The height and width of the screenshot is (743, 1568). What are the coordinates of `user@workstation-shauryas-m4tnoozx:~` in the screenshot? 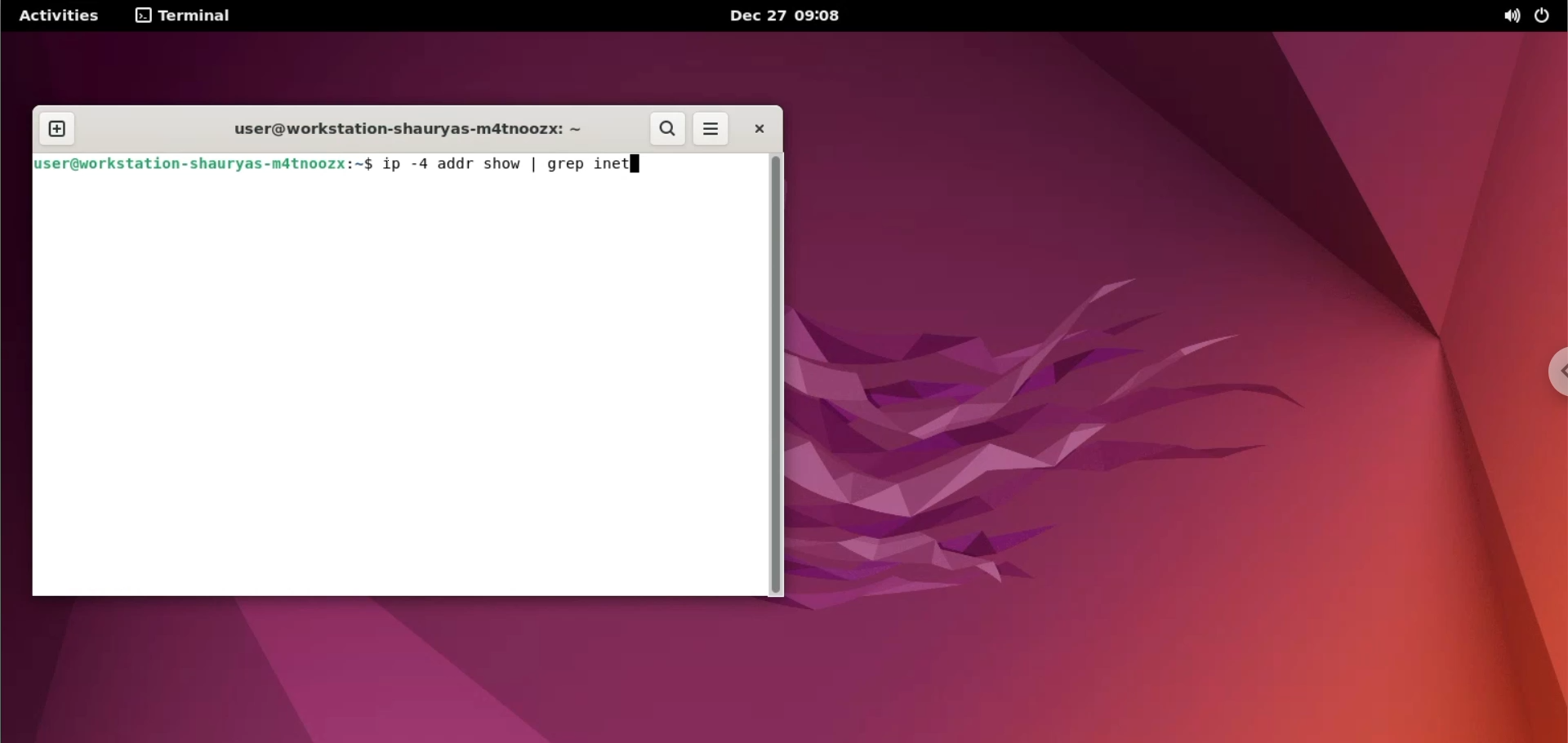 It's located at (401, 128).